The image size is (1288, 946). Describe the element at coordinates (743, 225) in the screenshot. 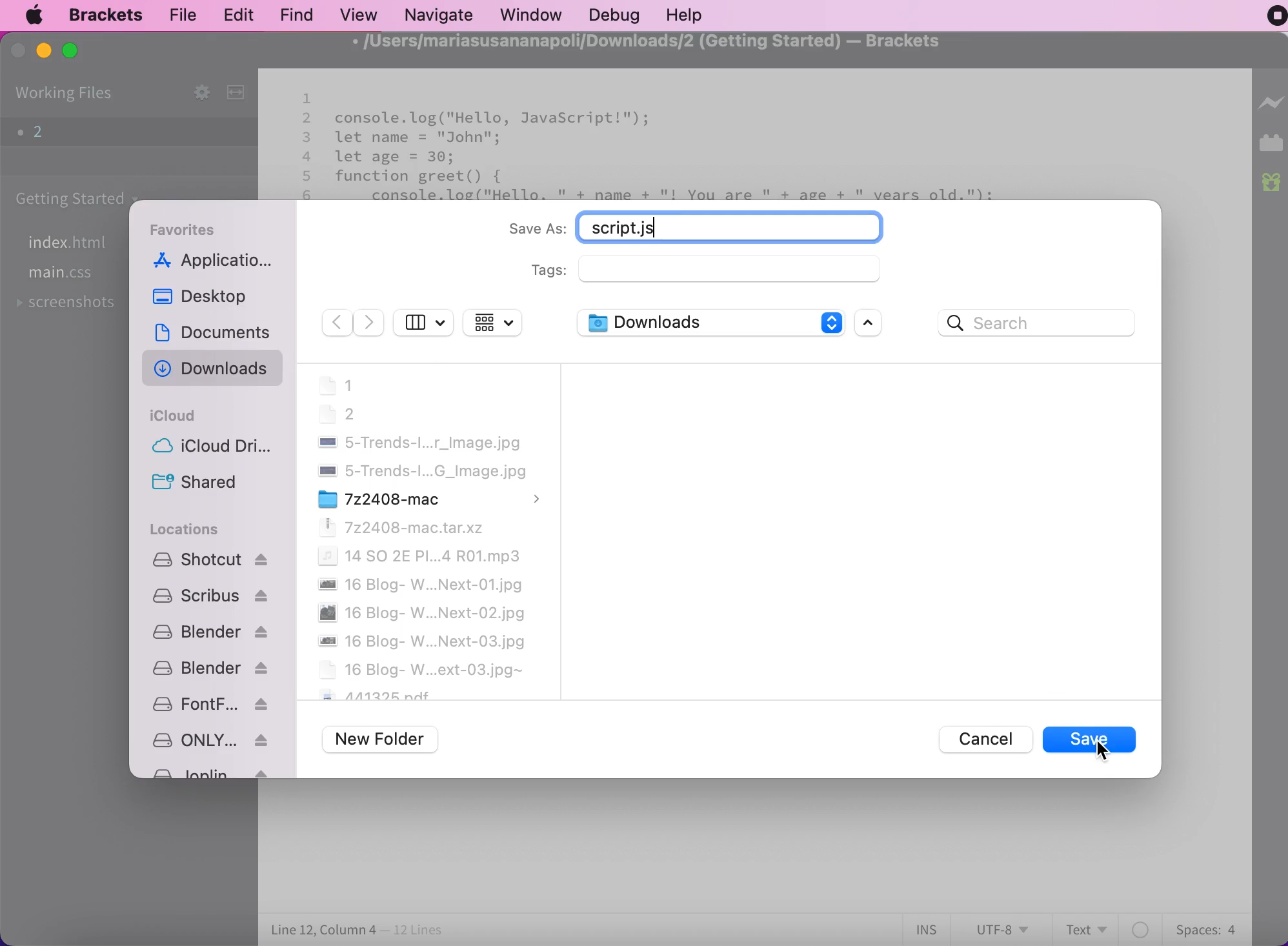

I see `script.js` at that location.